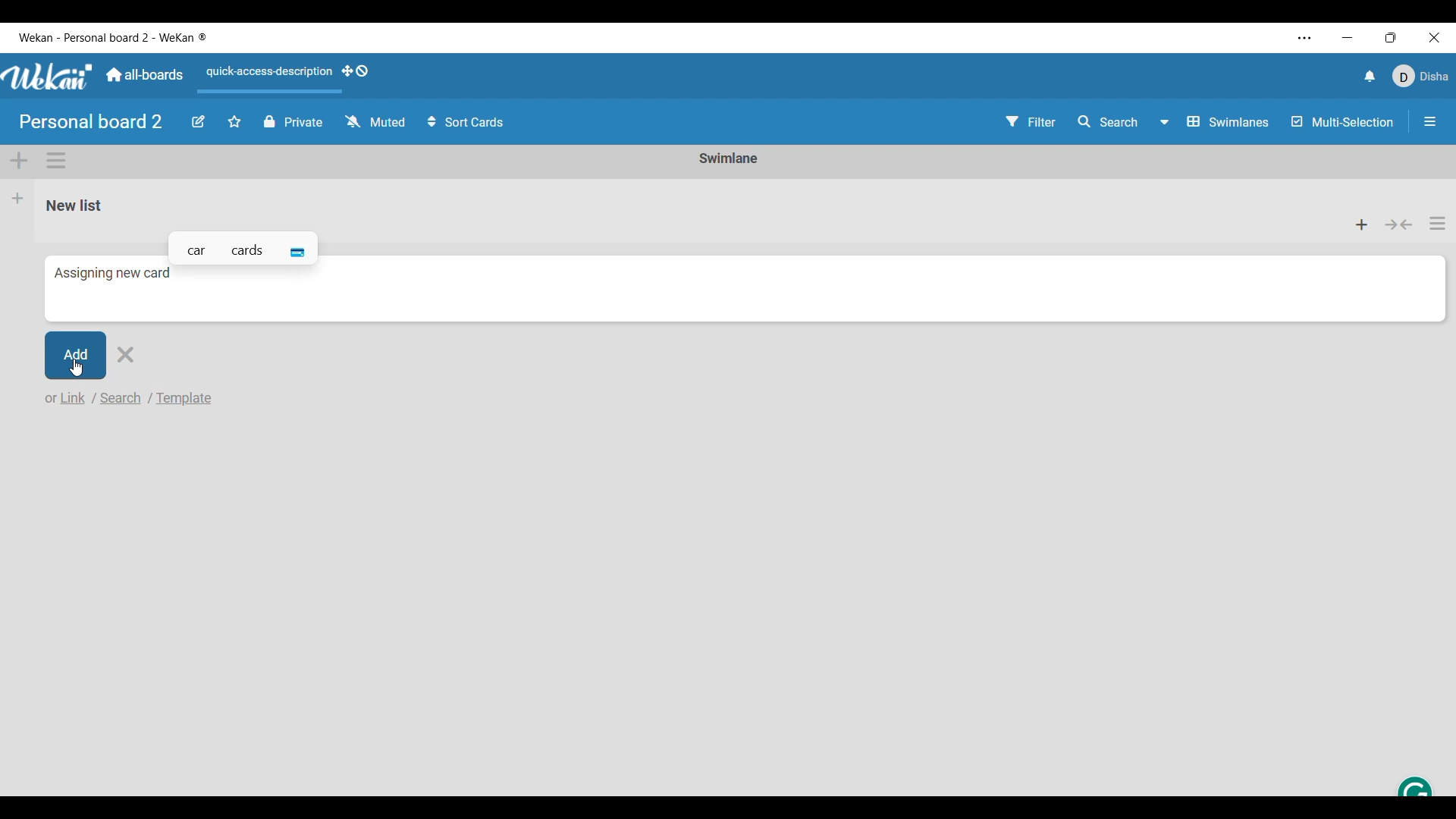  Describe the element at coordinates (234, 121) in the screenshot. I see `Star board` at that location.